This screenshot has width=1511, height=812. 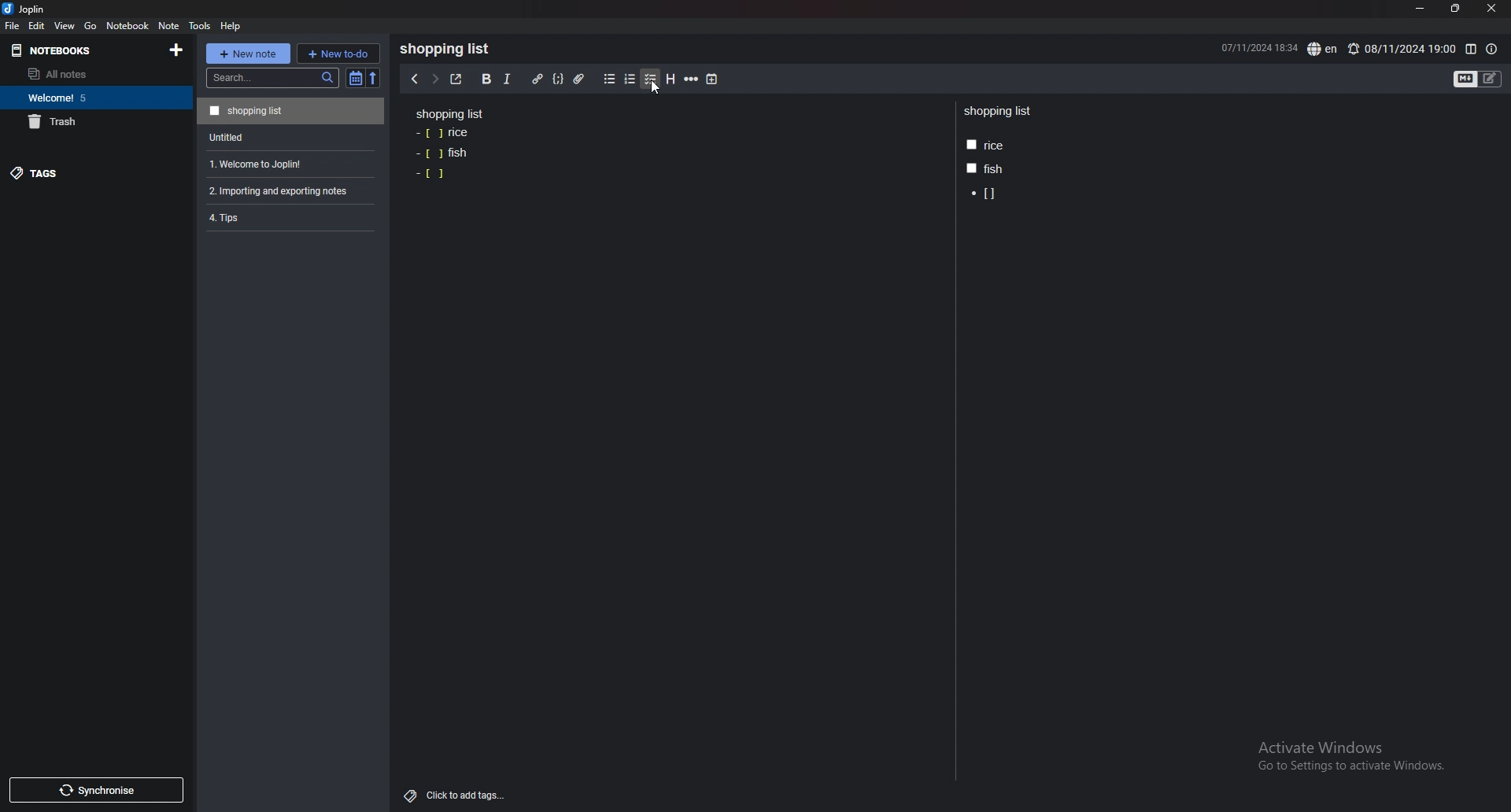 I want to click on synchronize, so click(x=95, y=790).